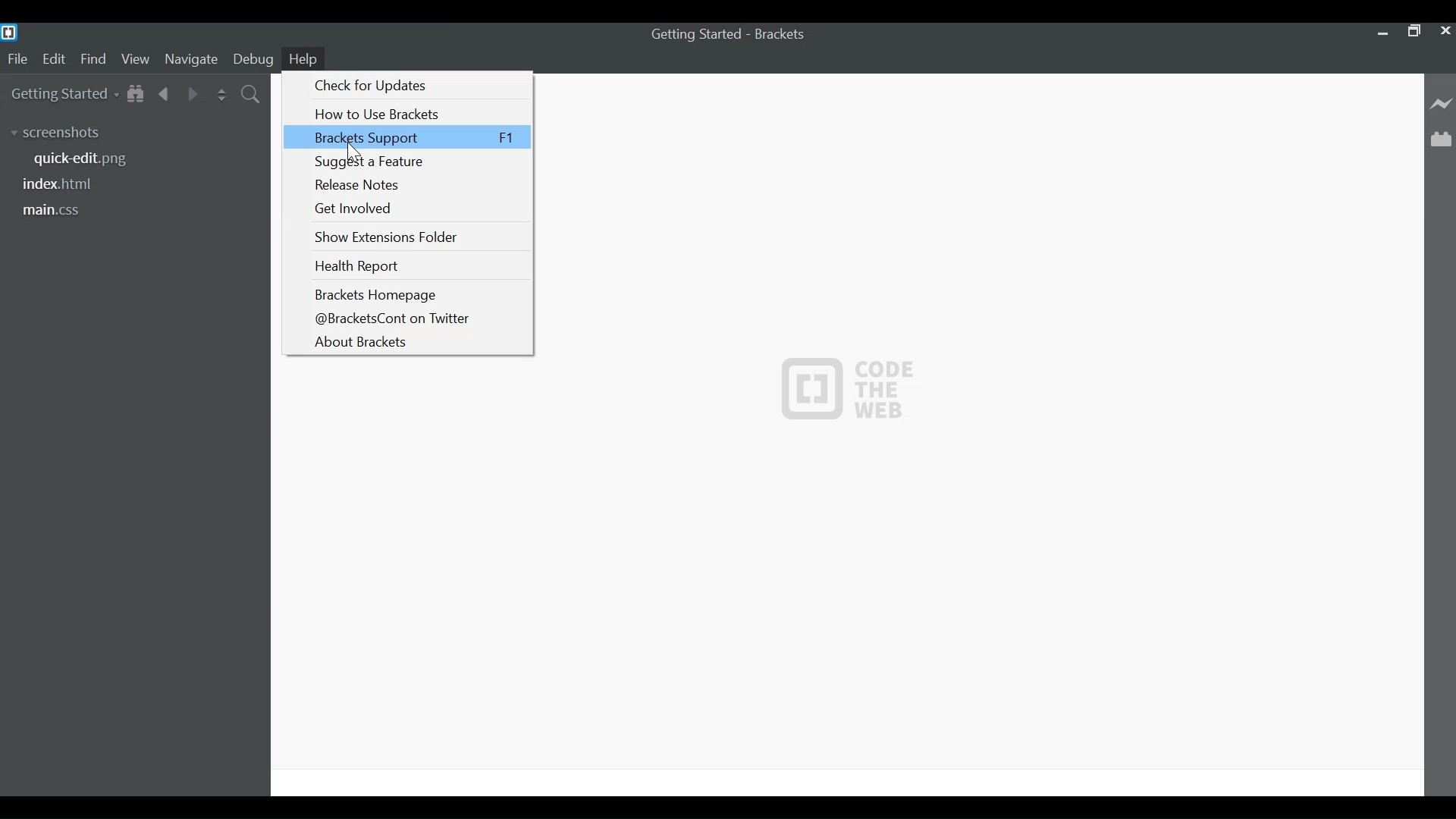 The height and width of the screenshot is (819, 1456). Describe the element at coordinates (1382, 31) in the screenshot. I see `minimize` at that location.